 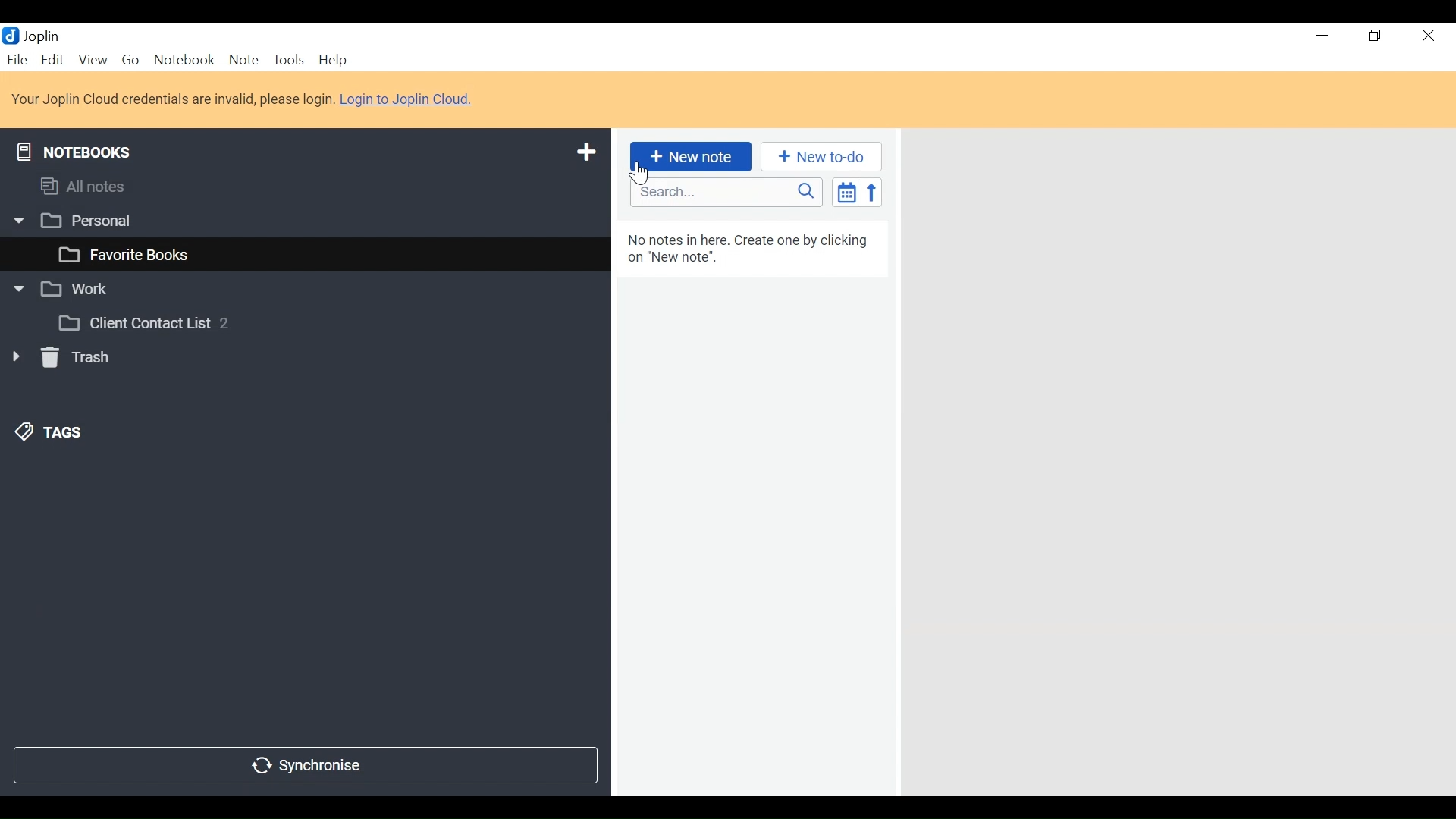 I want to click on Go, so click(x=128, y=61).